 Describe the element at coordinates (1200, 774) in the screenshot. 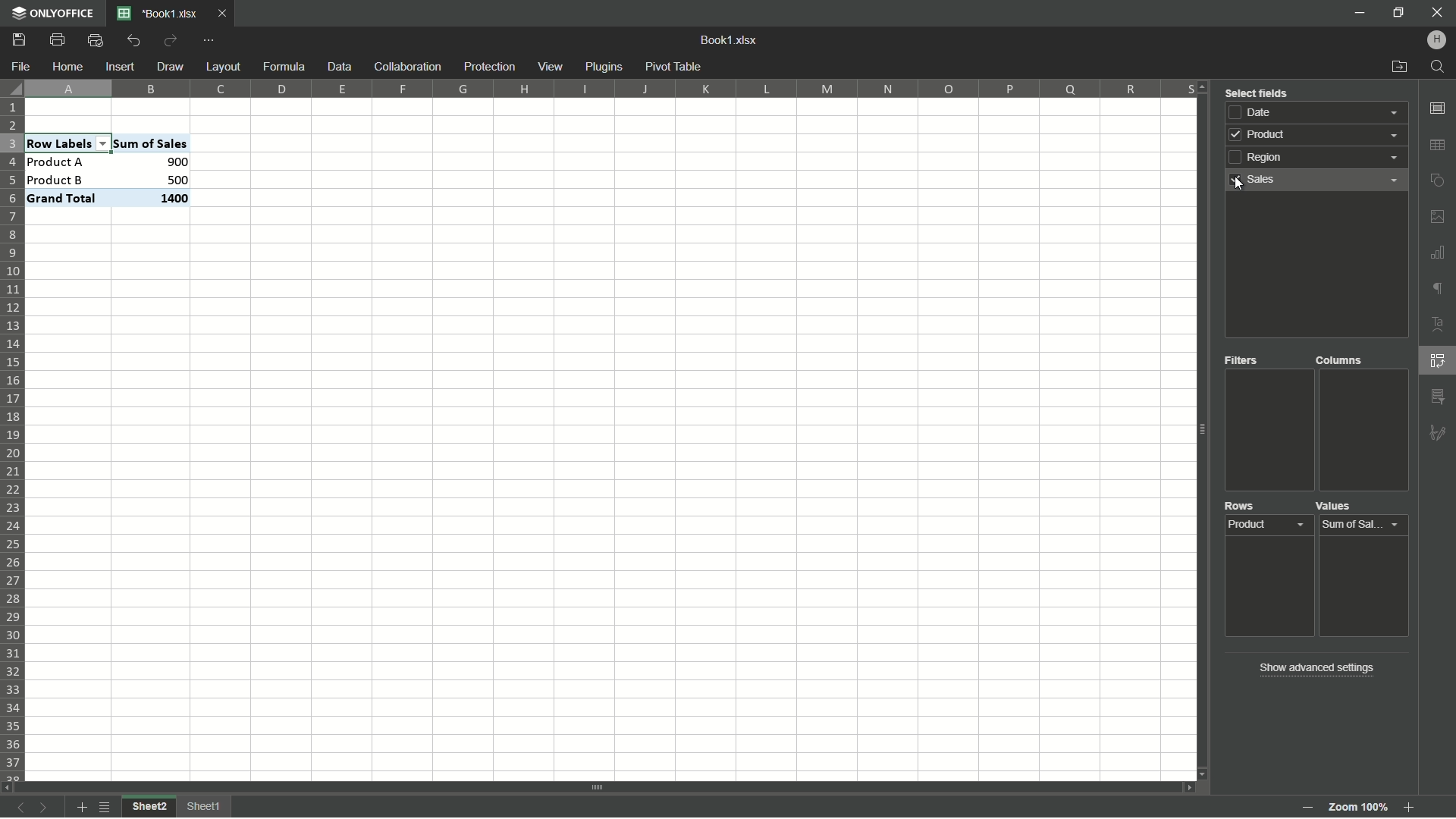

I see `scroll down` at that location.